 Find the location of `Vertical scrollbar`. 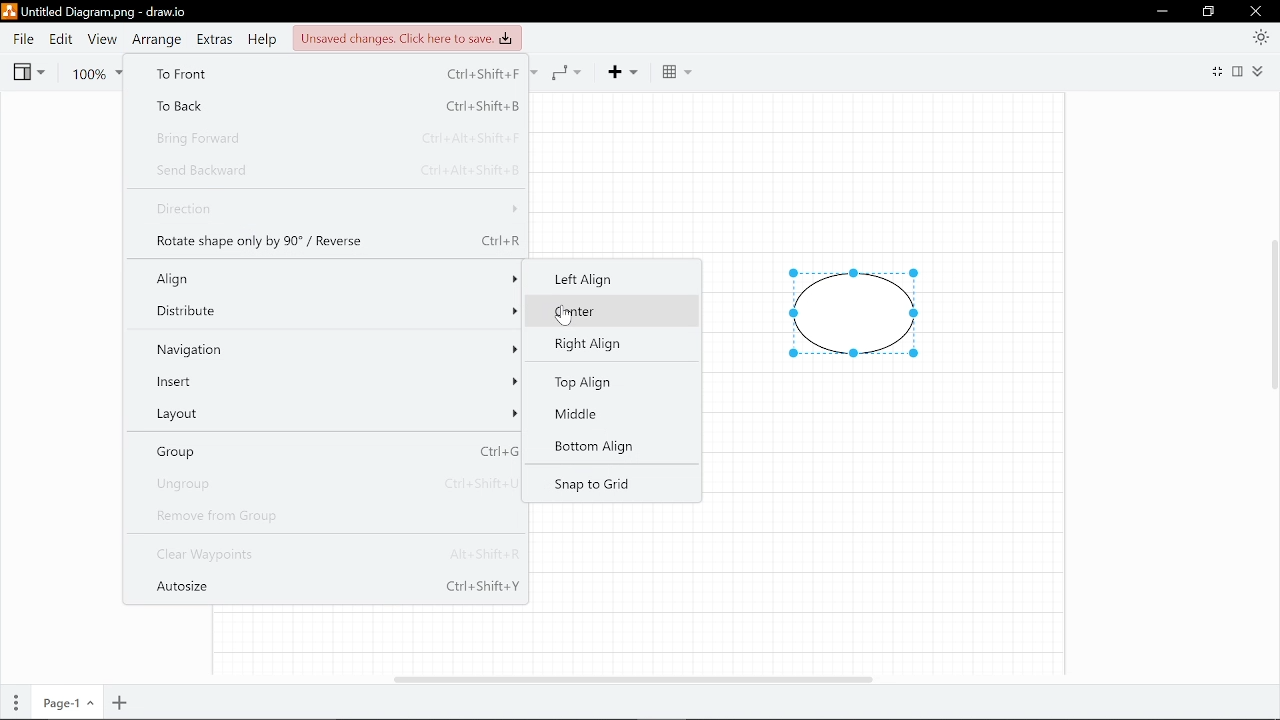

Vertical scrollbar is located at coordinates (1272, 319).